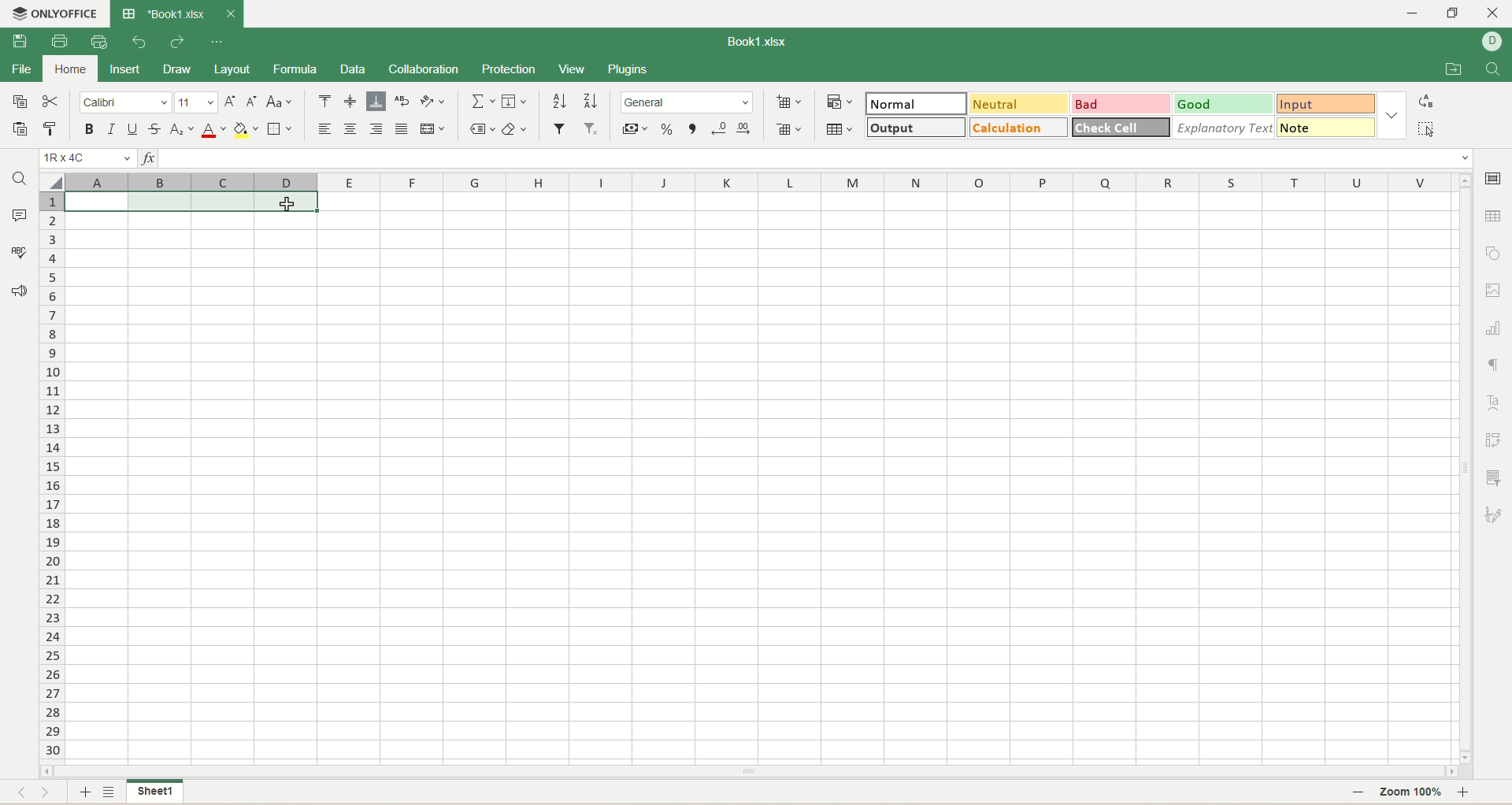  Describe the element at coordinates (376, 129) in the screenshot. I see `align right` at that location.